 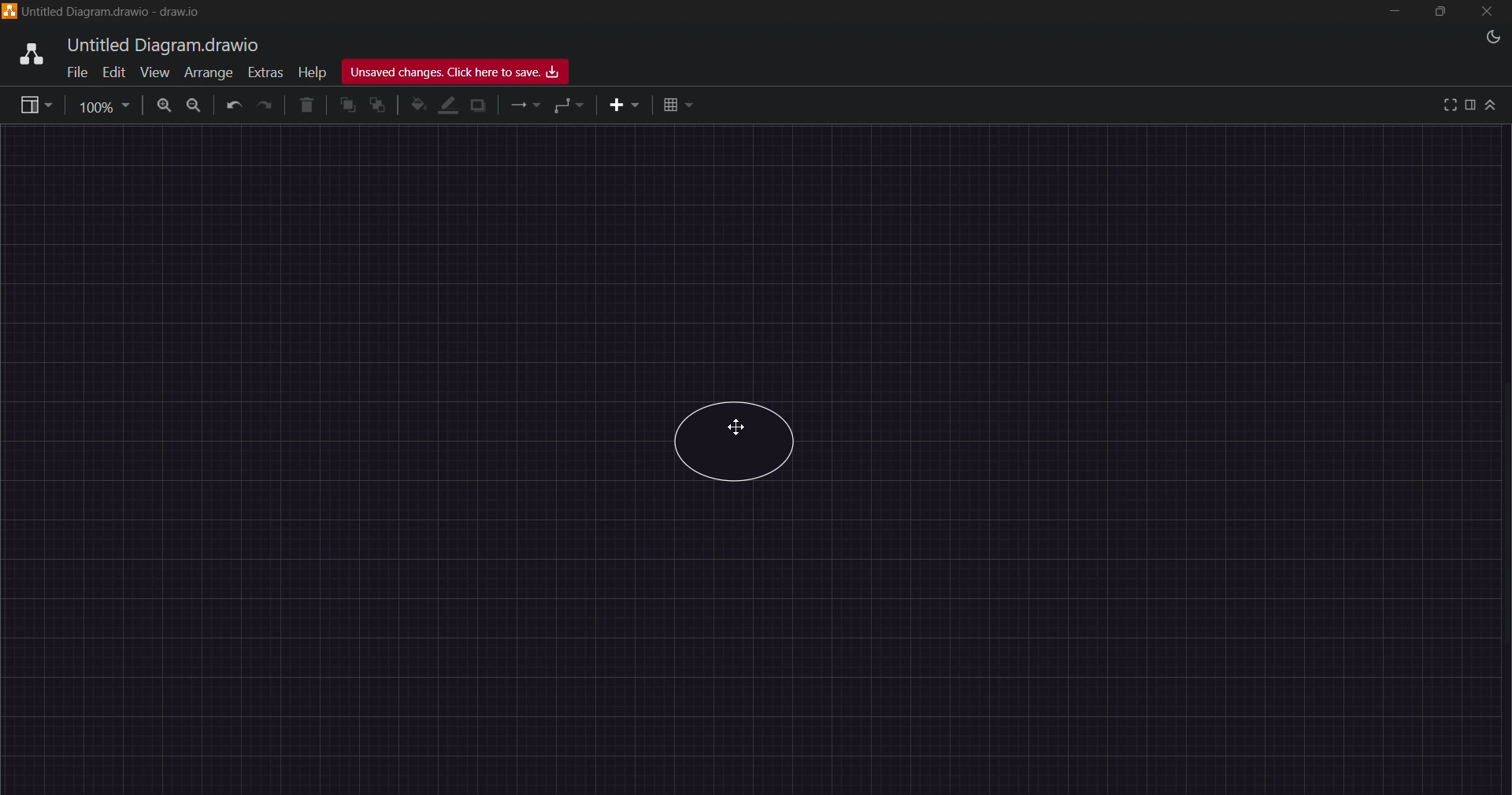 What do you see at coordinates (1496, 105) in the screenshot?
I see `expand/collapse` at bounding box center [1496, 105].